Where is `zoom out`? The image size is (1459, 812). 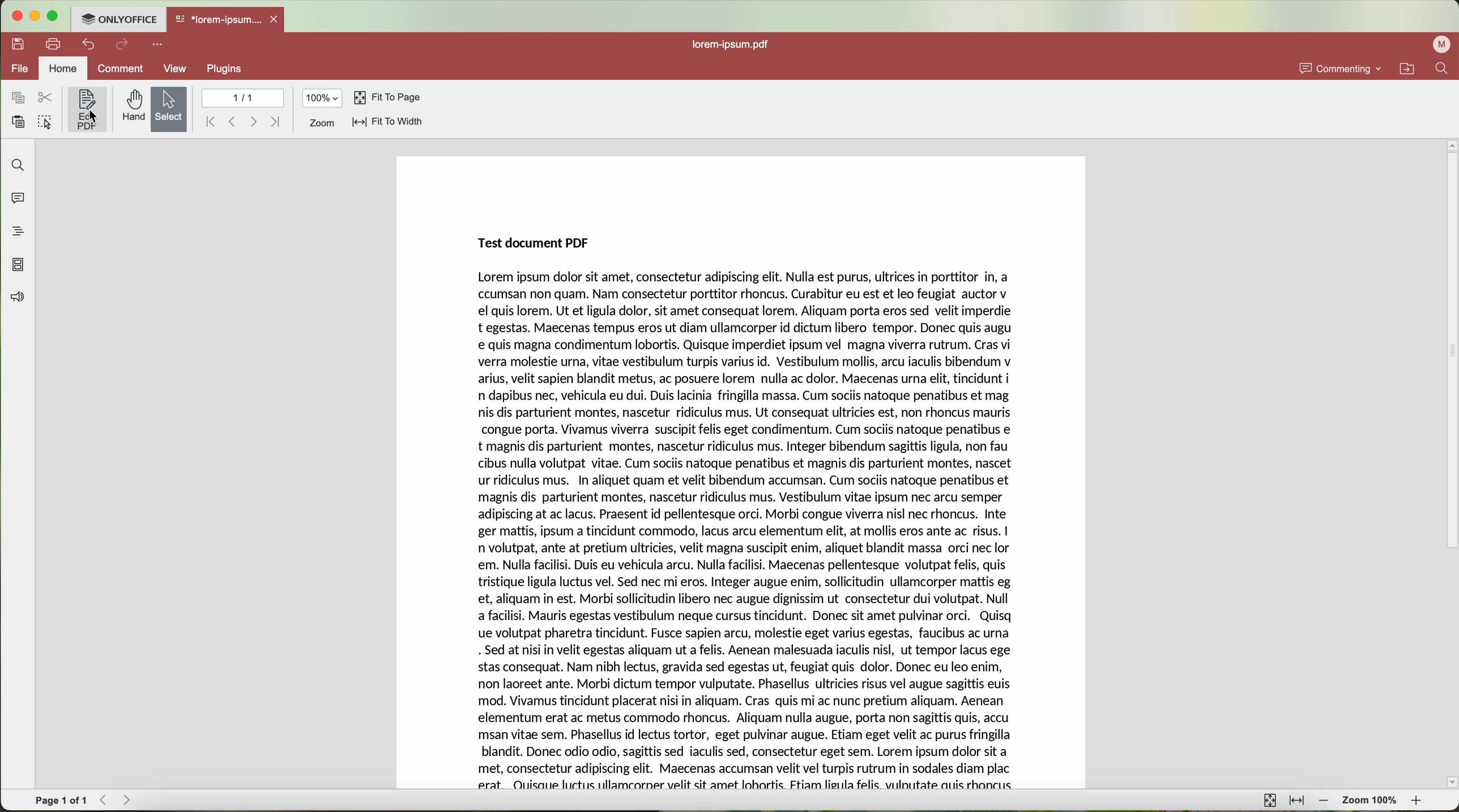
zoom out is located at coordinates (1324, 801).